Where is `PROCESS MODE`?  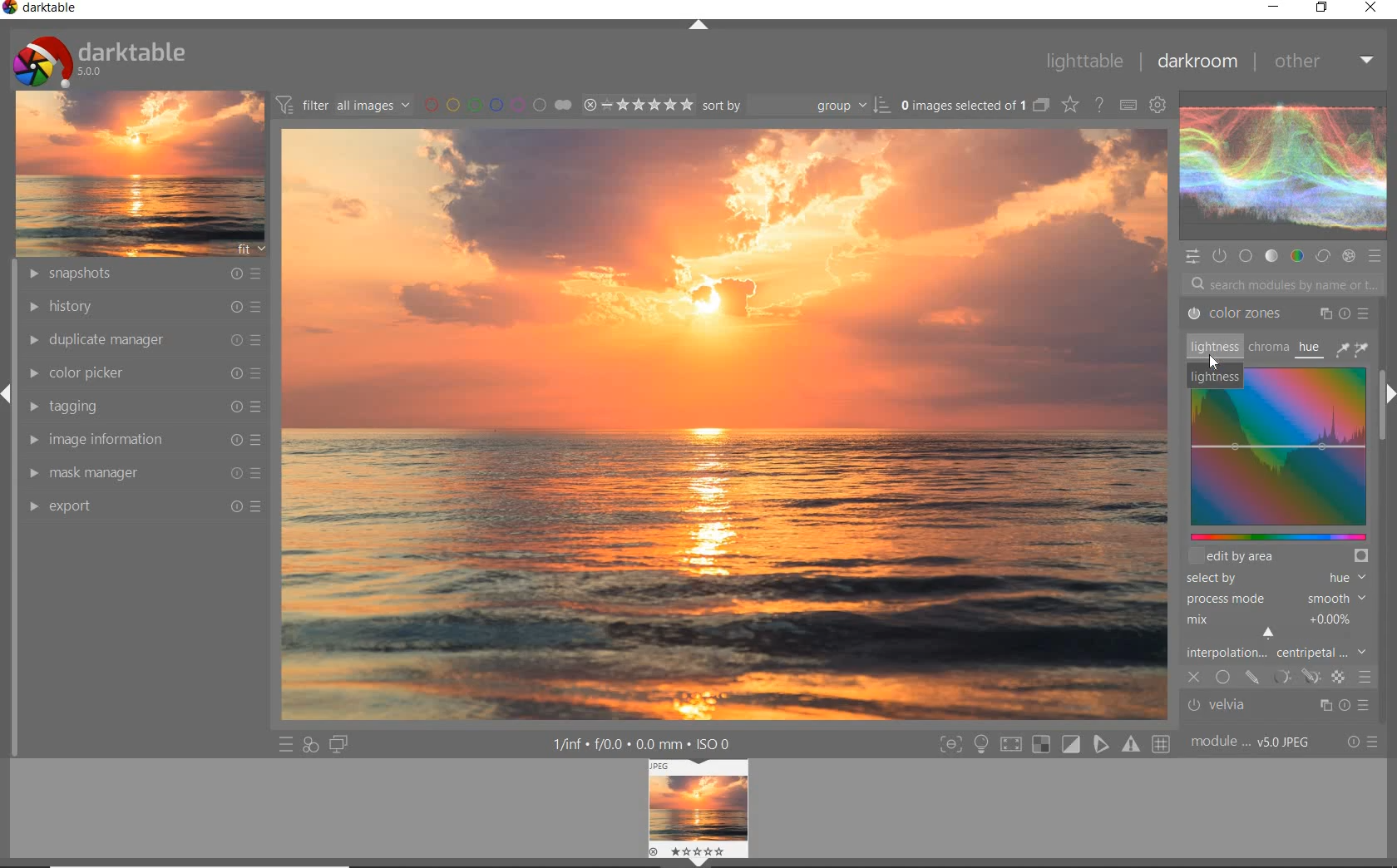
PROCESS MODE is located at coordinates (1278, 599).